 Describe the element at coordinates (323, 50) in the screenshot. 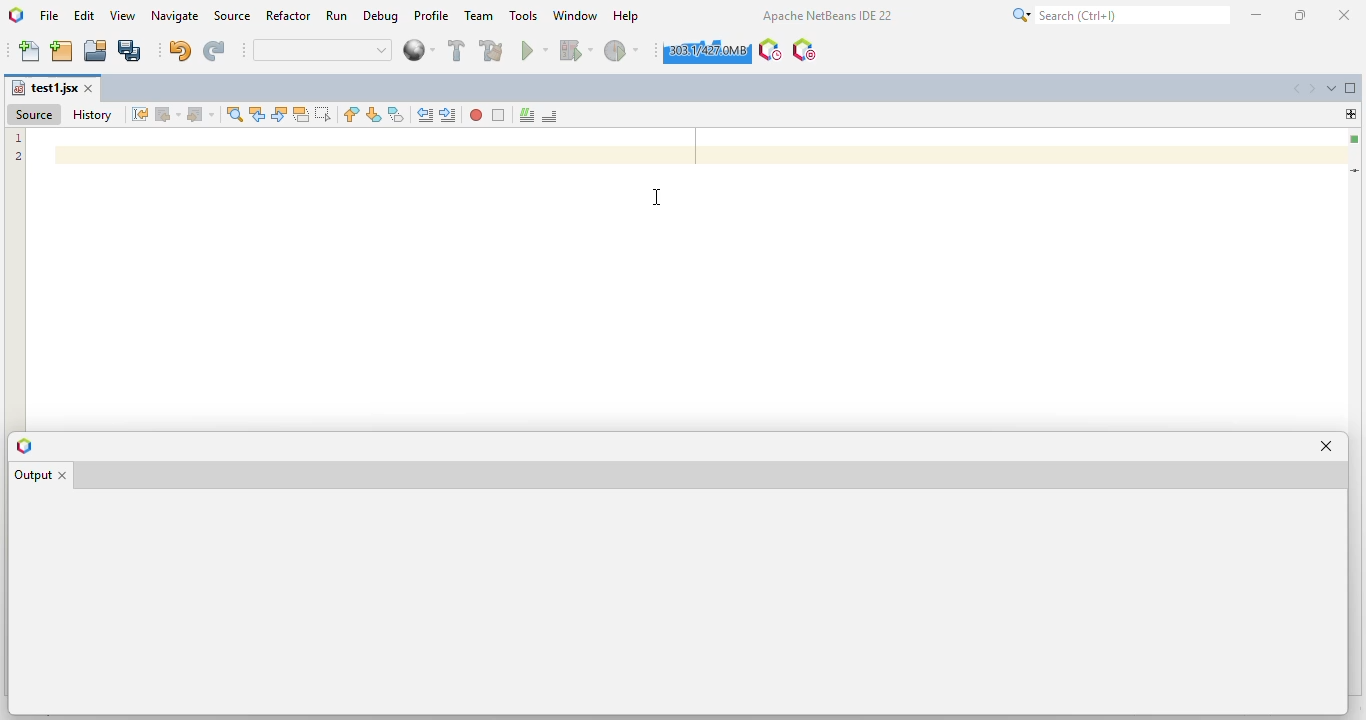

I see `quick search bar` at that location.